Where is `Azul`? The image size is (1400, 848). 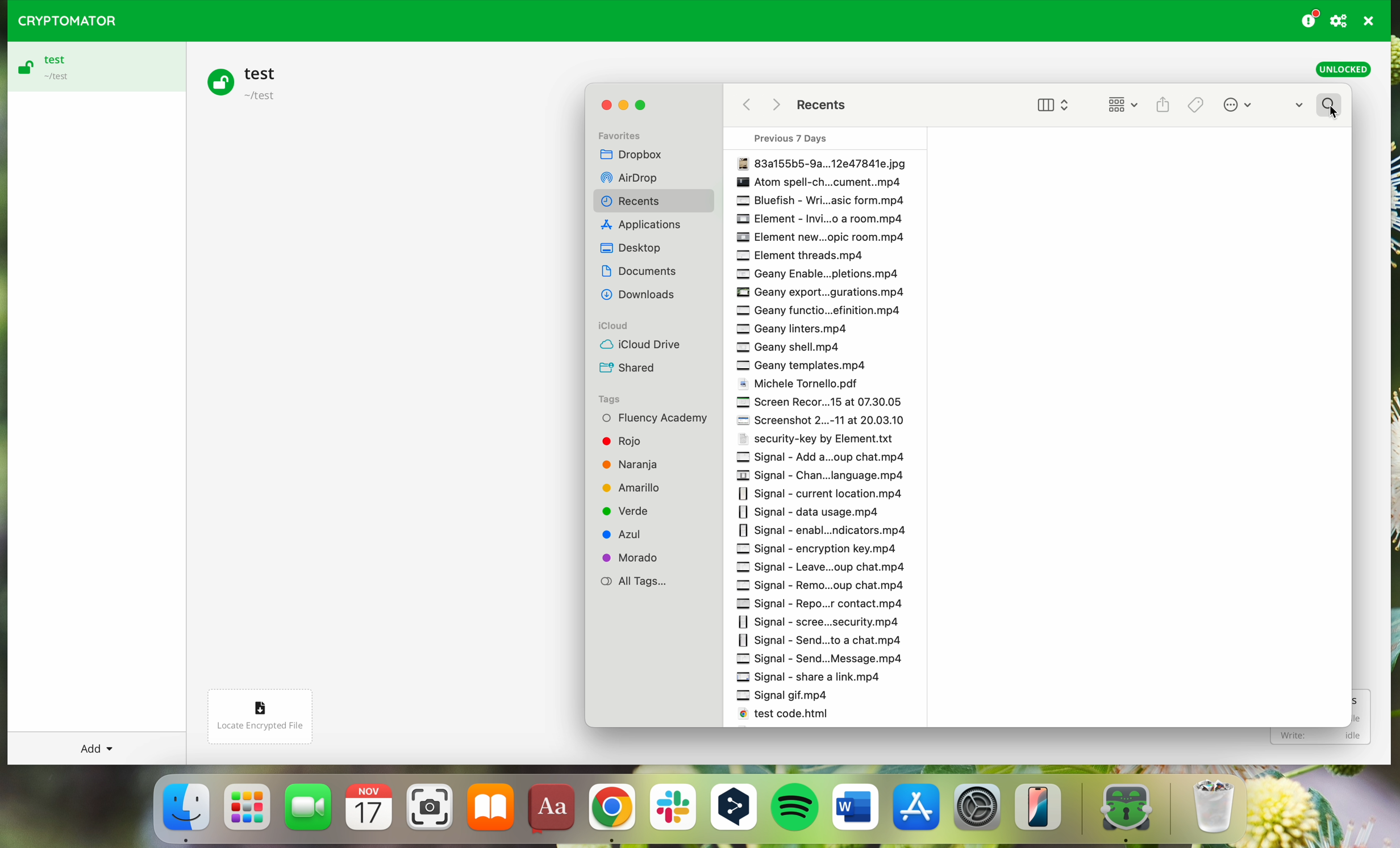
Azul is located at coordinates (631, 534).